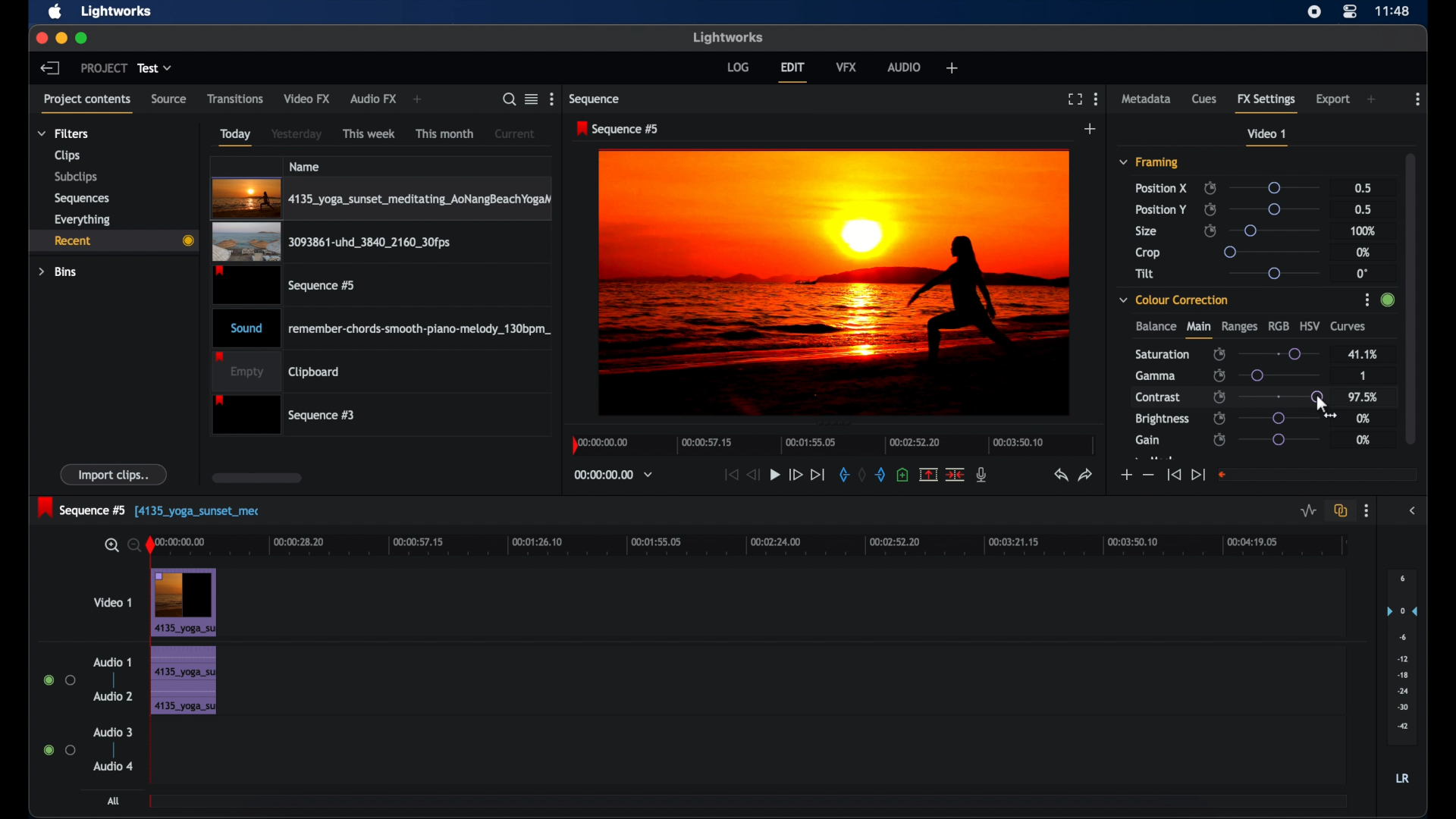 Image resolution: width=1456 pixels, height=819 pixels. Describe the element at coordinates (830, 448) in the screenshot. I see `timeline` at that location.